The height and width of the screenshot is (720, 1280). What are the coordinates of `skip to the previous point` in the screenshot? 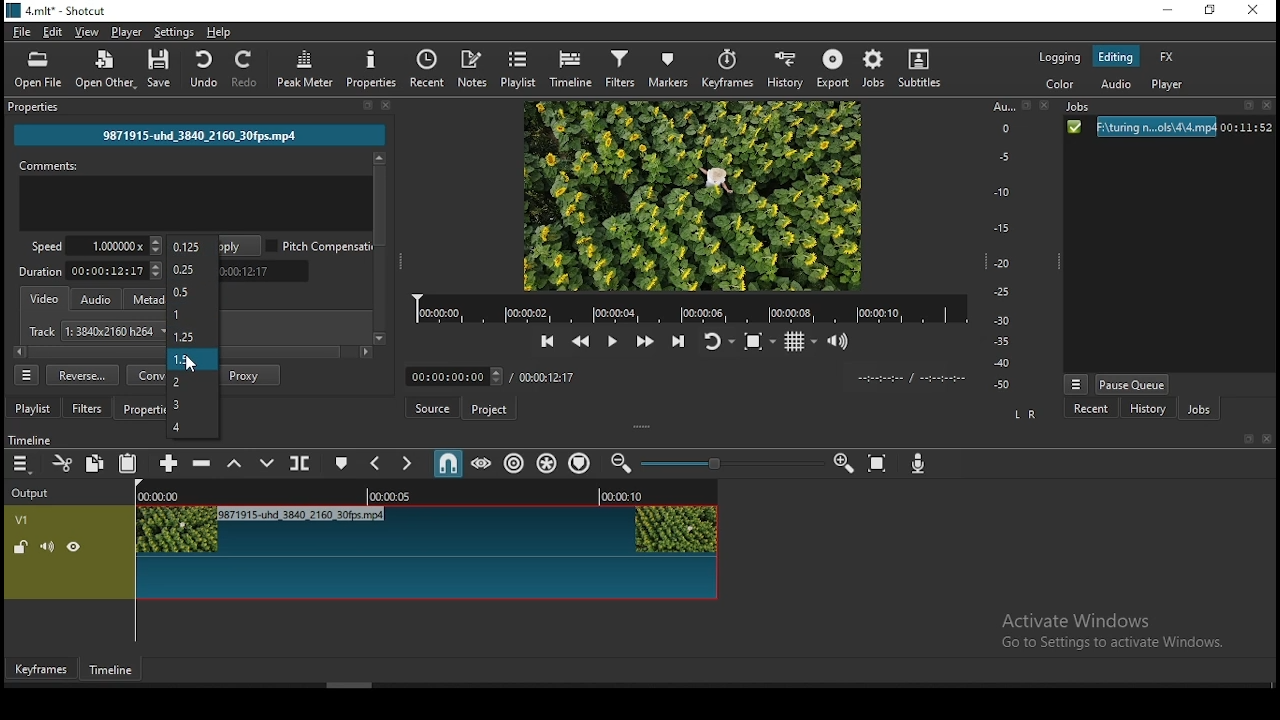 It's located at (547, 342).